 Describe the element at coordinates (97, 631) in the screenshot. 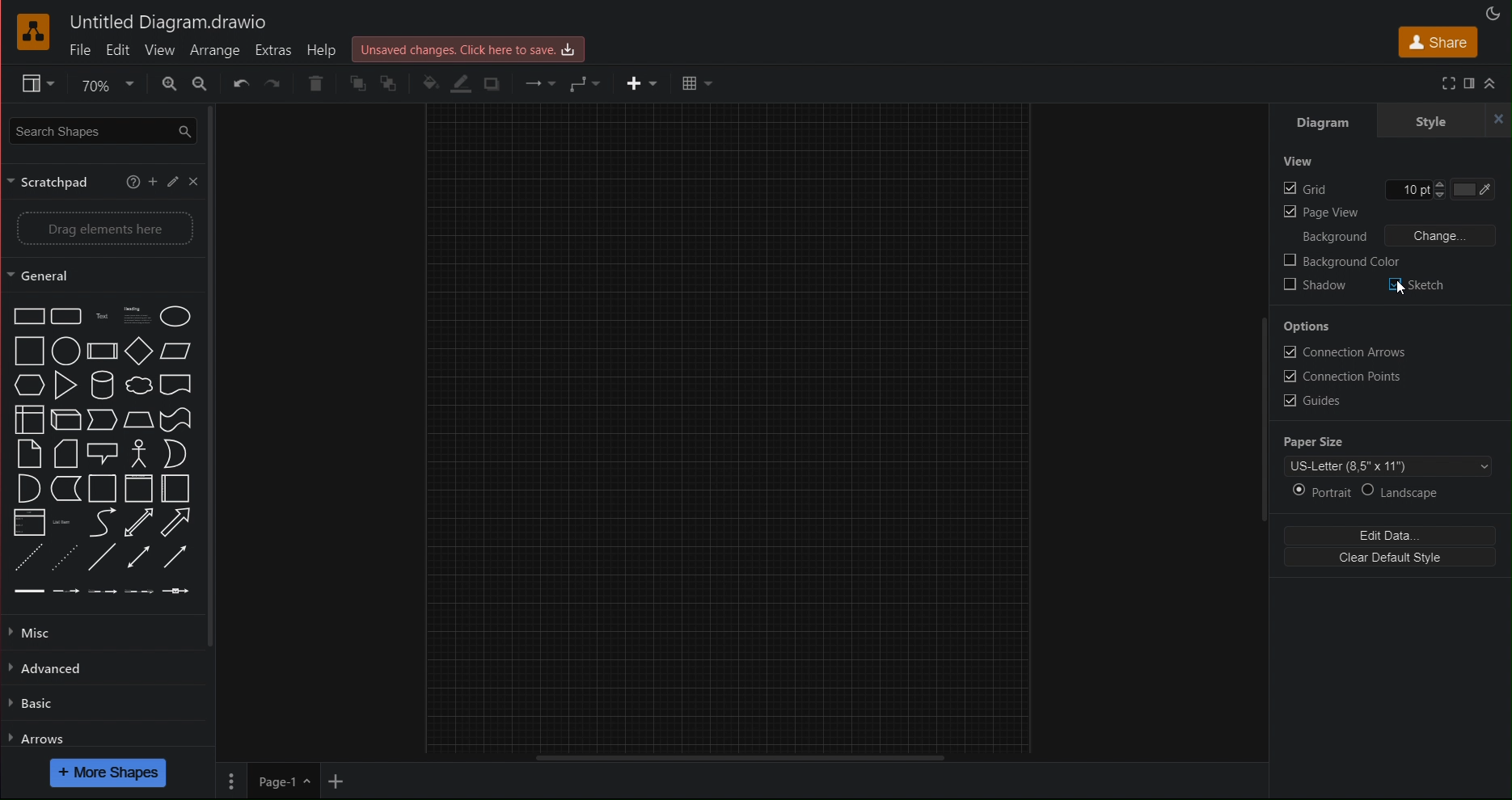

I see `Misc` at that location.